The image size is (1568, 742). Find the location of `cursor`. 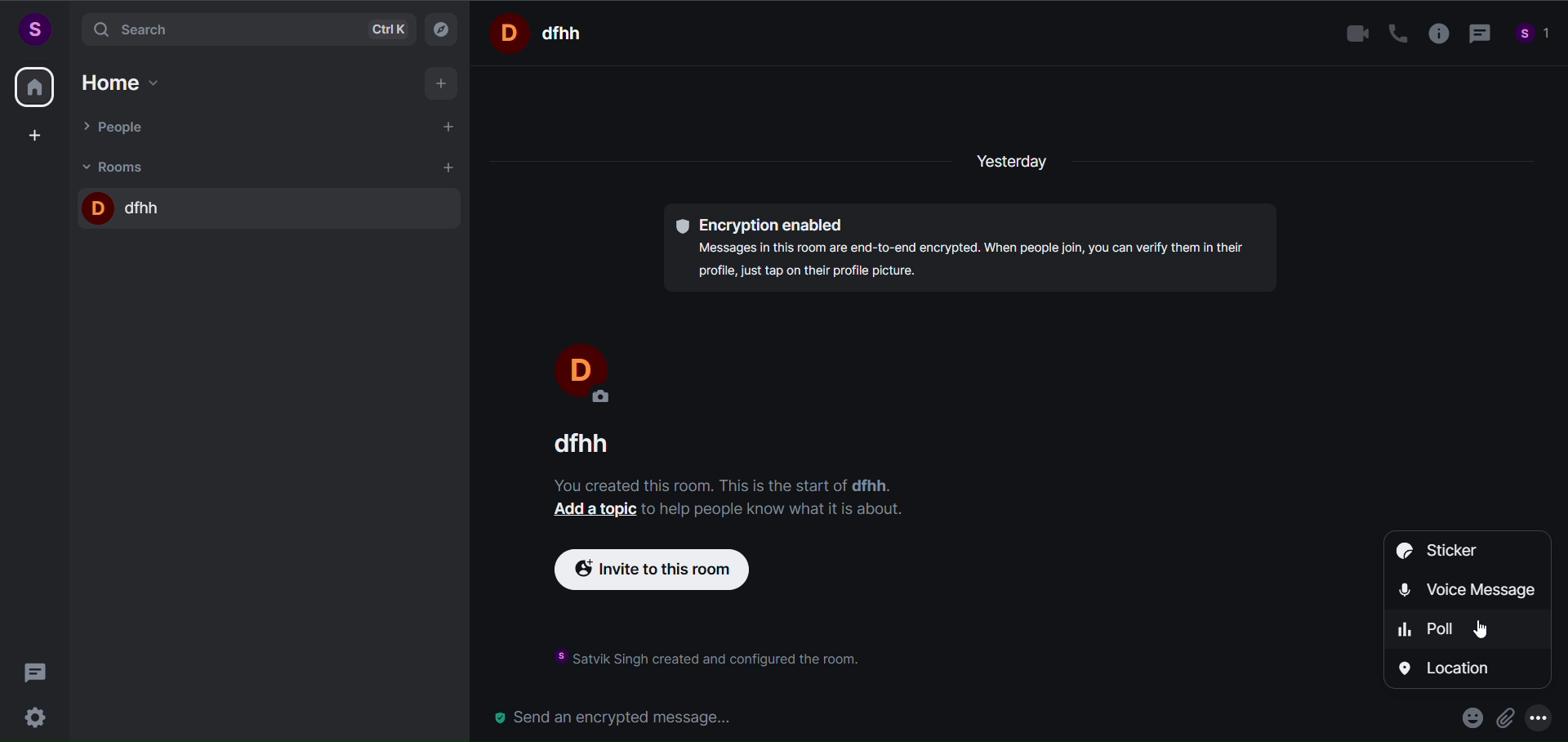

cursor is located at coordinates (1482, 632).